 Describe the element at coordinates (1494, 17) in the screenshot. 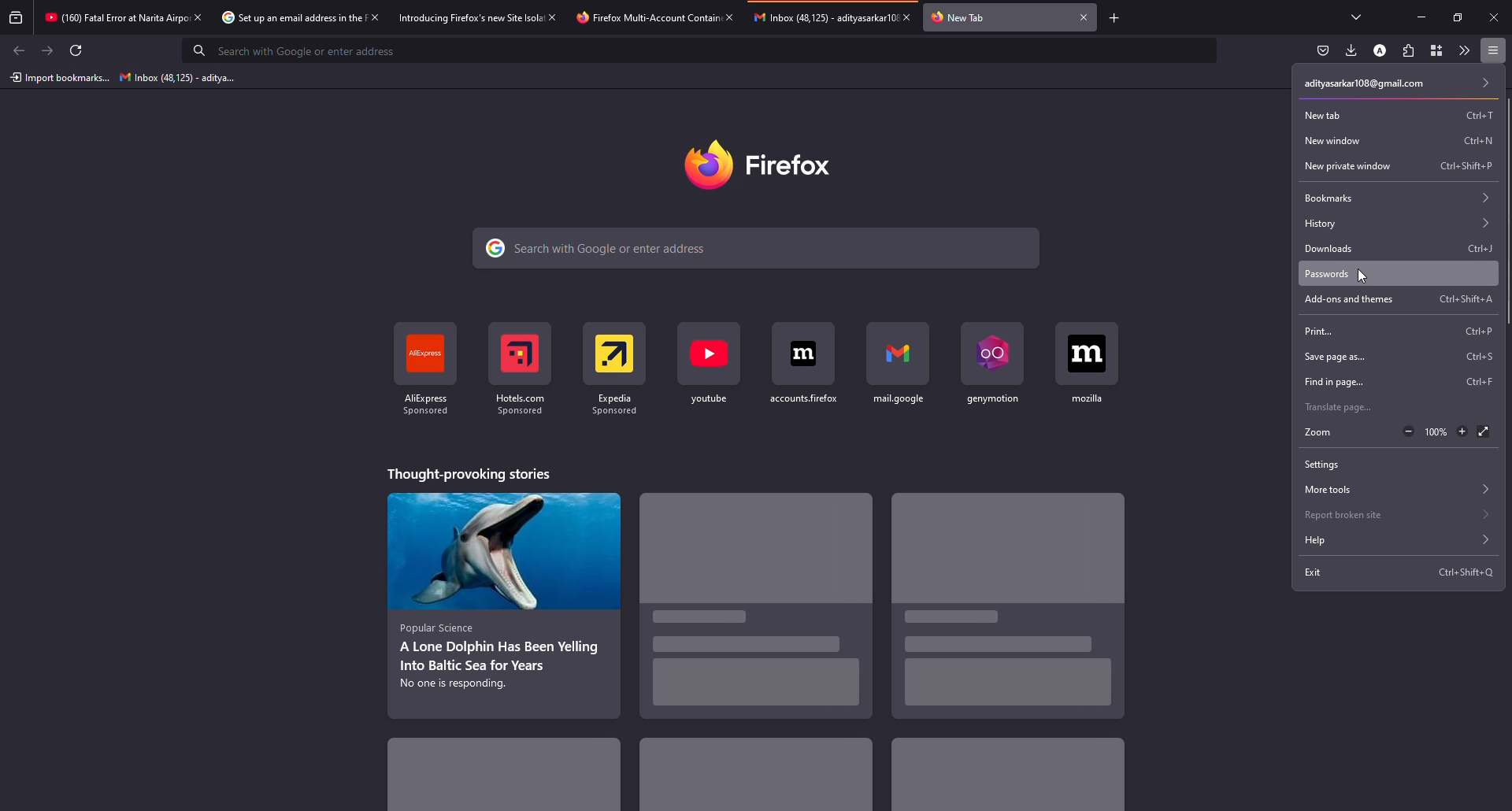

I see `close` at that location.